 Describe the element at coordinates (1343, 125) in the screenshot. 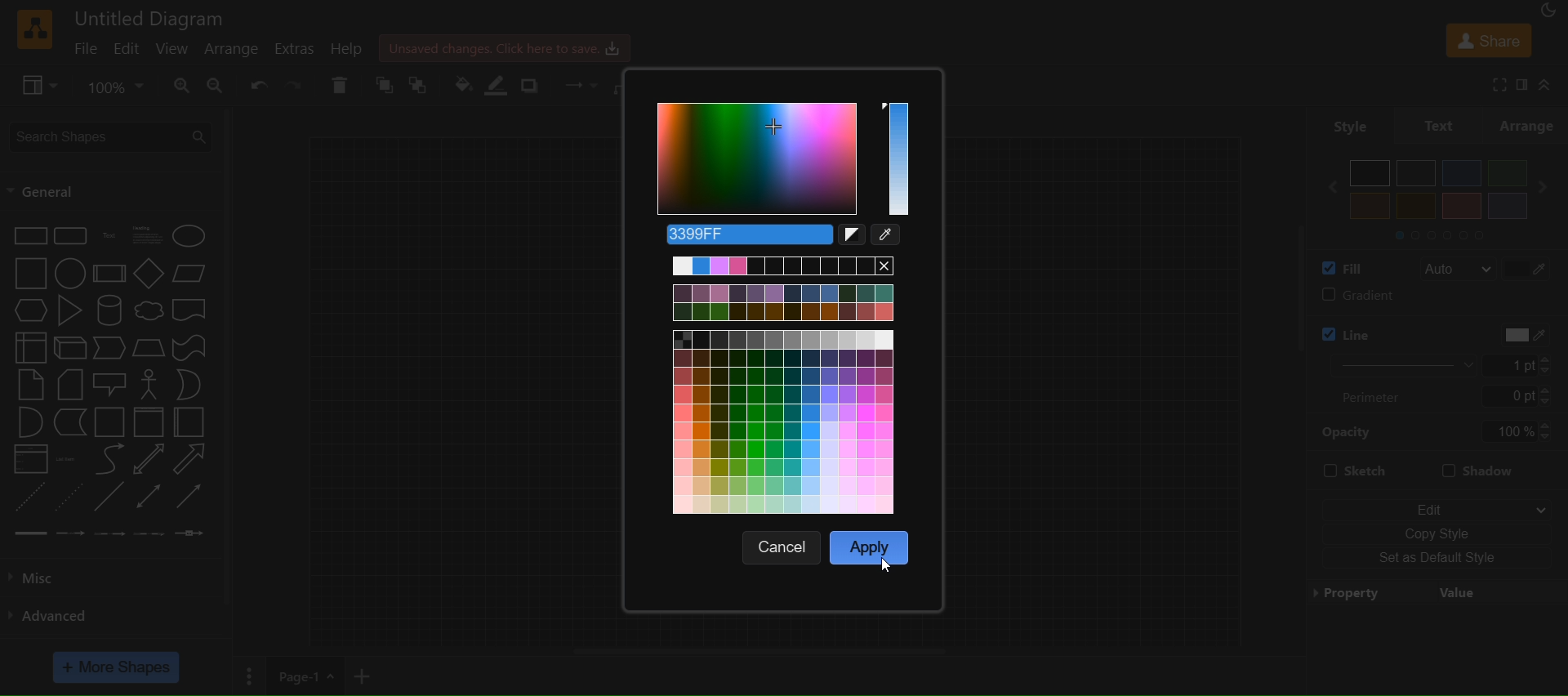

I see `style` at that location.